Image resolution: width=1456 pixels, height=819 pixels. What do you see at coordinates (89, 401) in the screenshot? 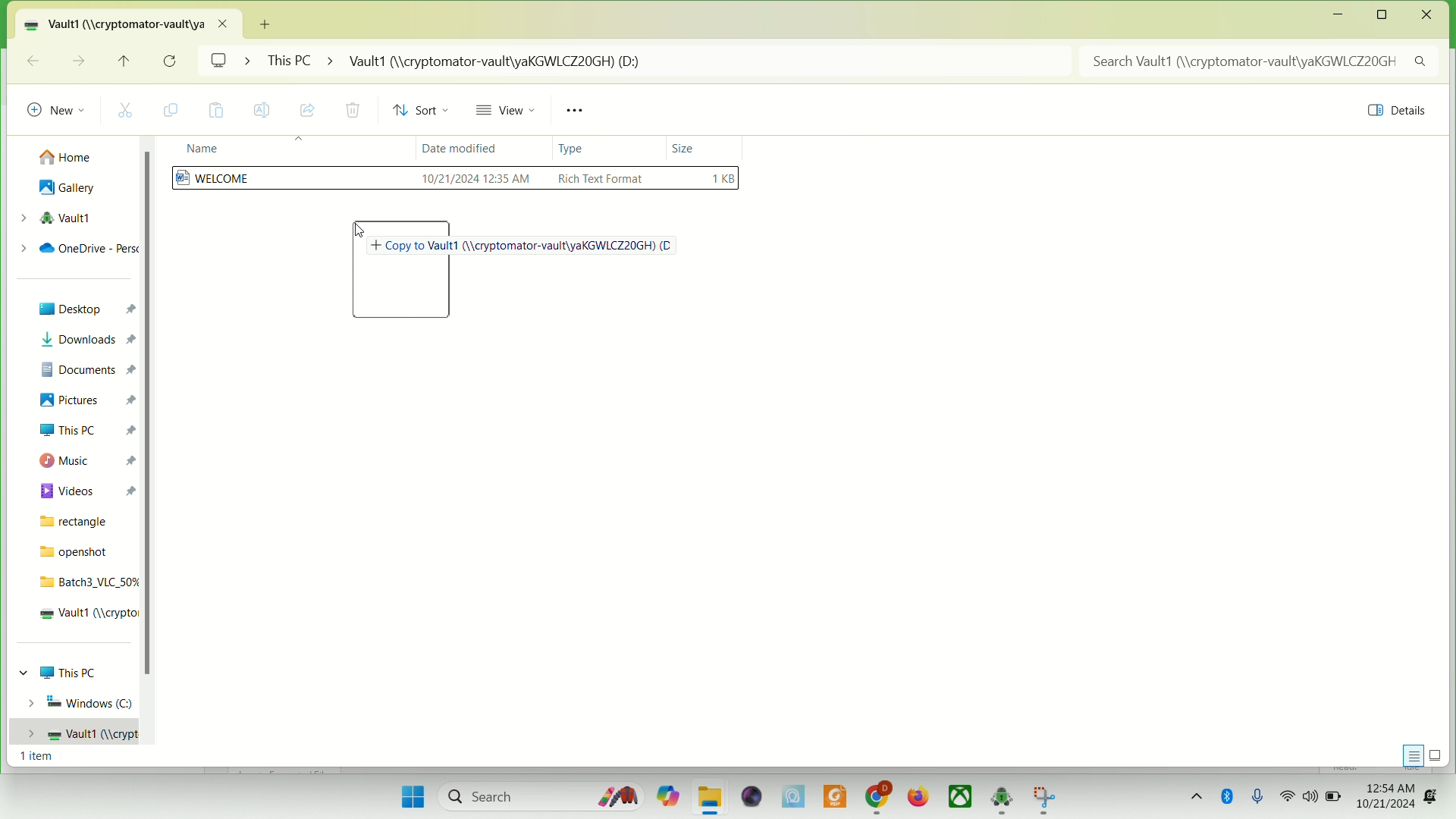
I see `pictures` at bounding box center [89, 401].